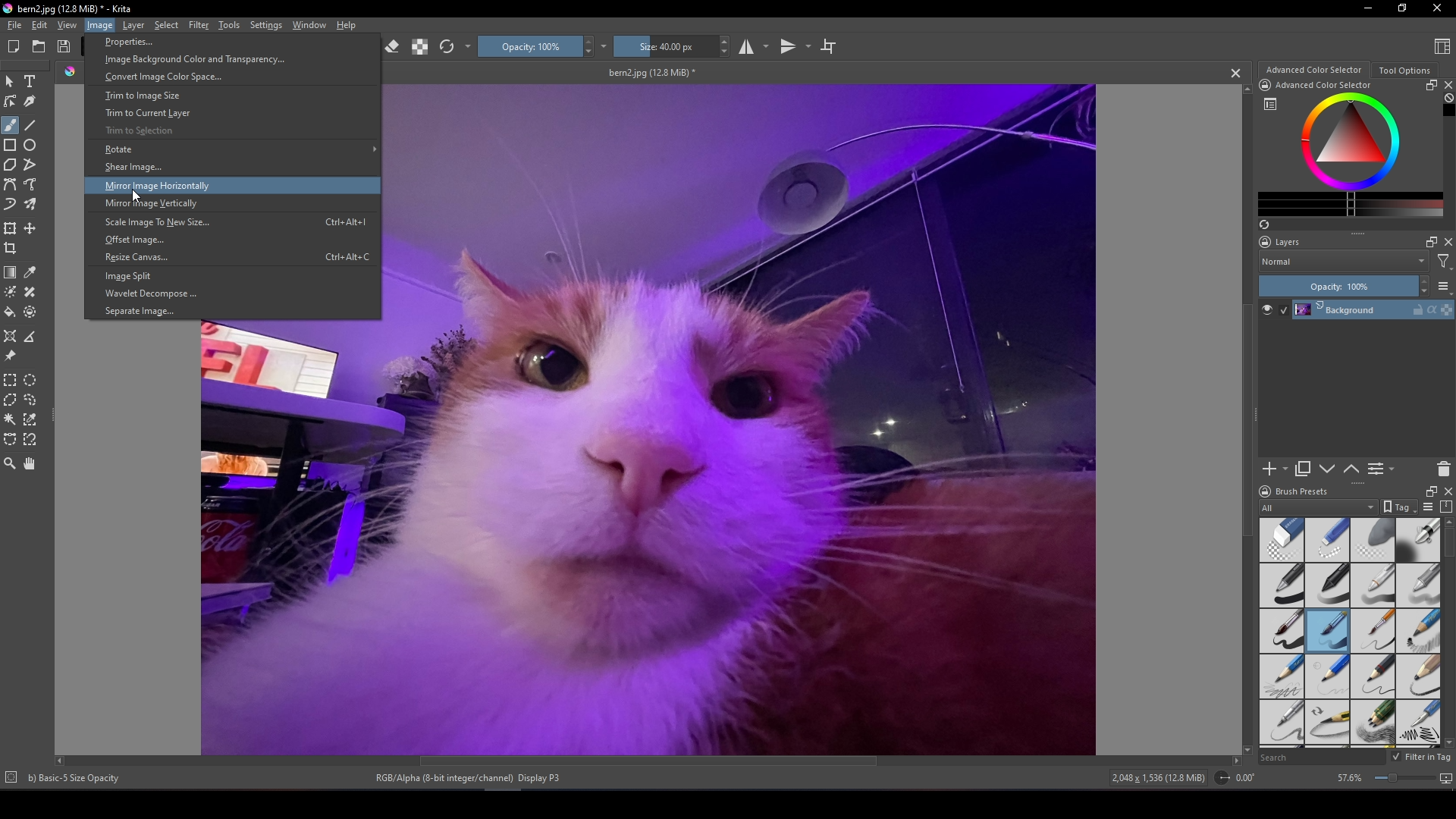 Image resolution: width=1456 pixels, height=819 pixels. I want to click on Filters, so click(1443, 262).